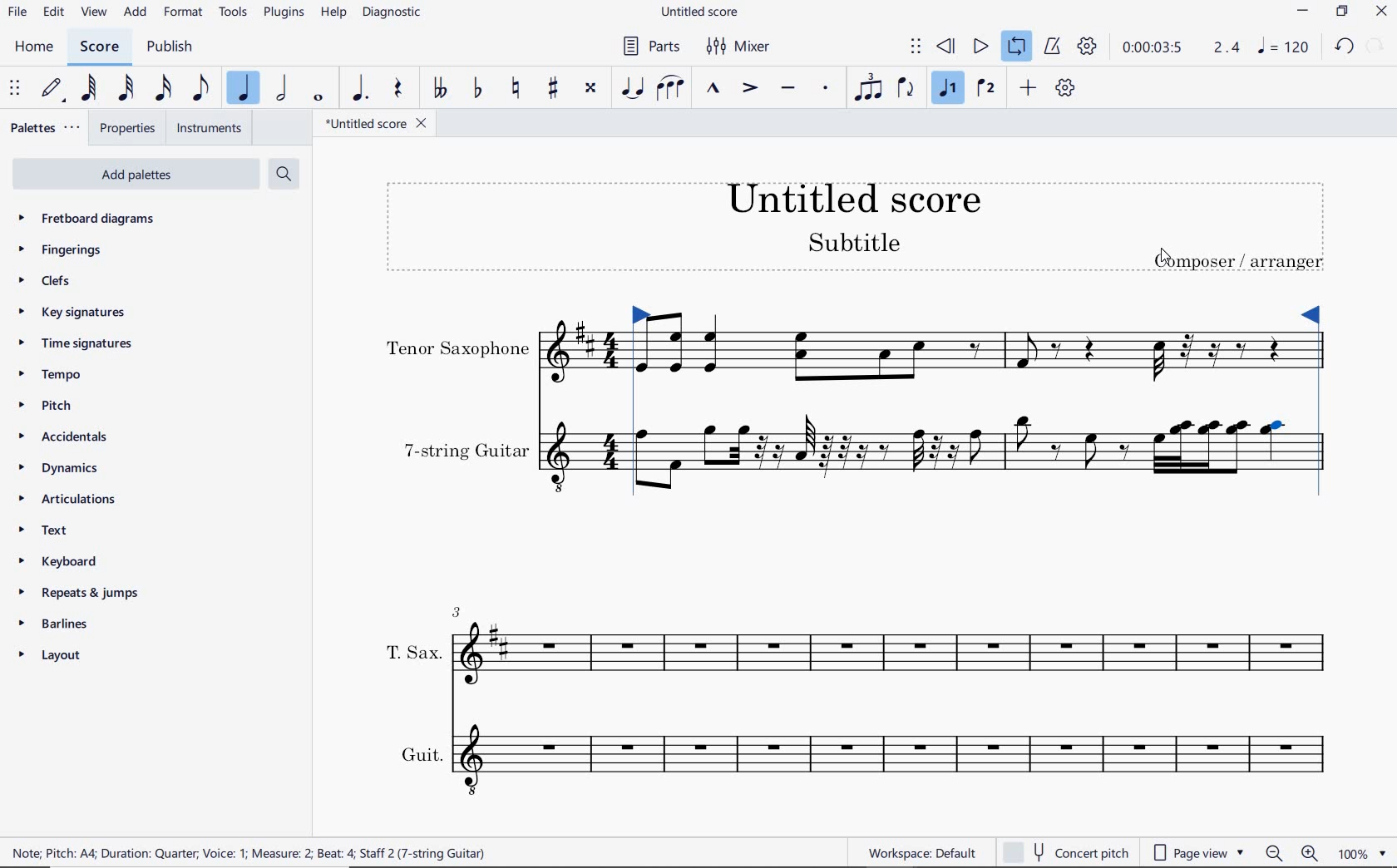  I want to click on KEY SIGNATURES, so click(72, 312).